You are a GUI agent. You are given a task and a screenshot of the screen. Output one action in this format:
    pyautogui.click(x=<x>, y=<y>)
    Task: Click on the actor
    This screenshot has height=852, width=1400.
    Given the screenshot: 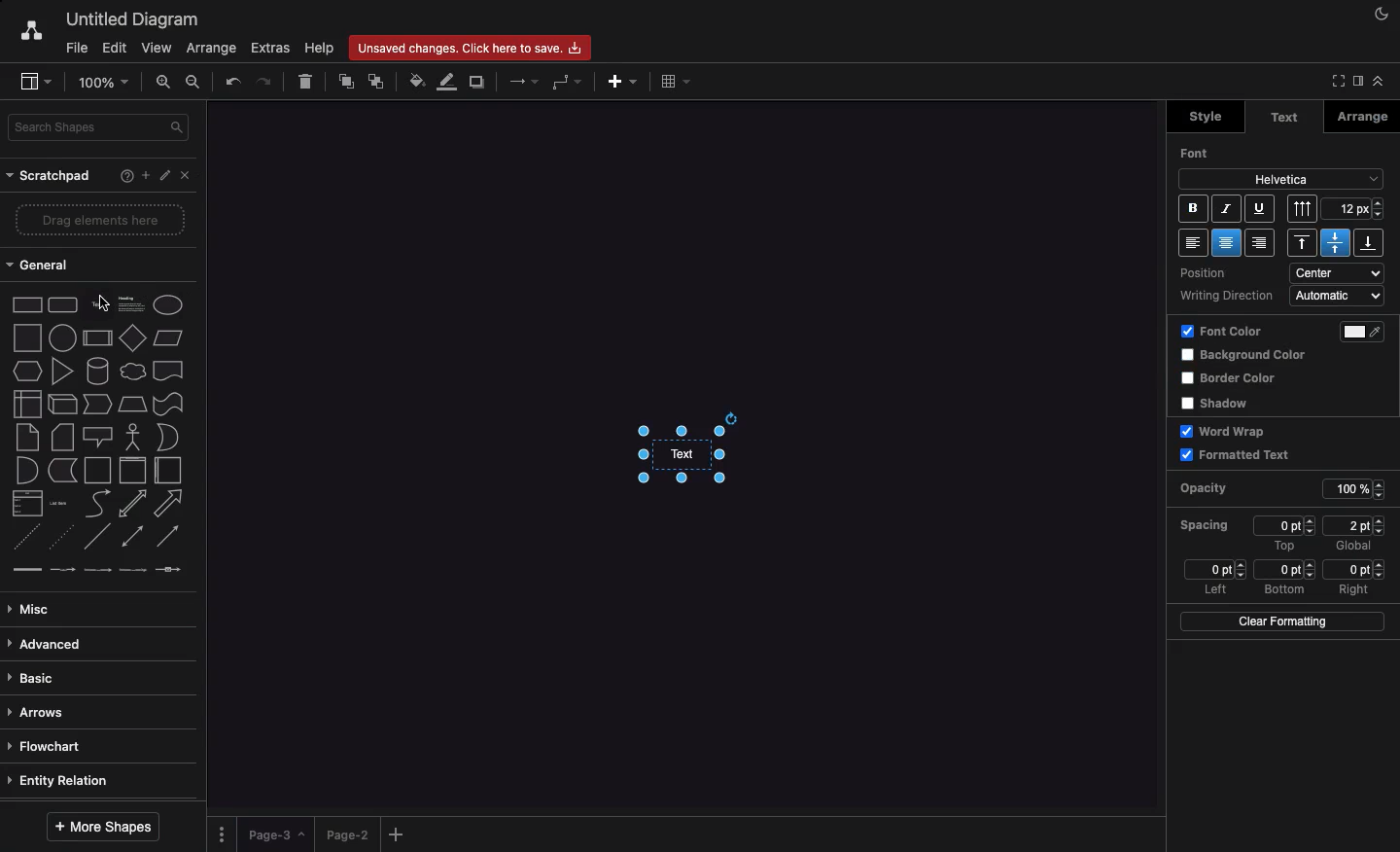 What is the action you would take?
    pyautogui.click(x=131, y=438)
    